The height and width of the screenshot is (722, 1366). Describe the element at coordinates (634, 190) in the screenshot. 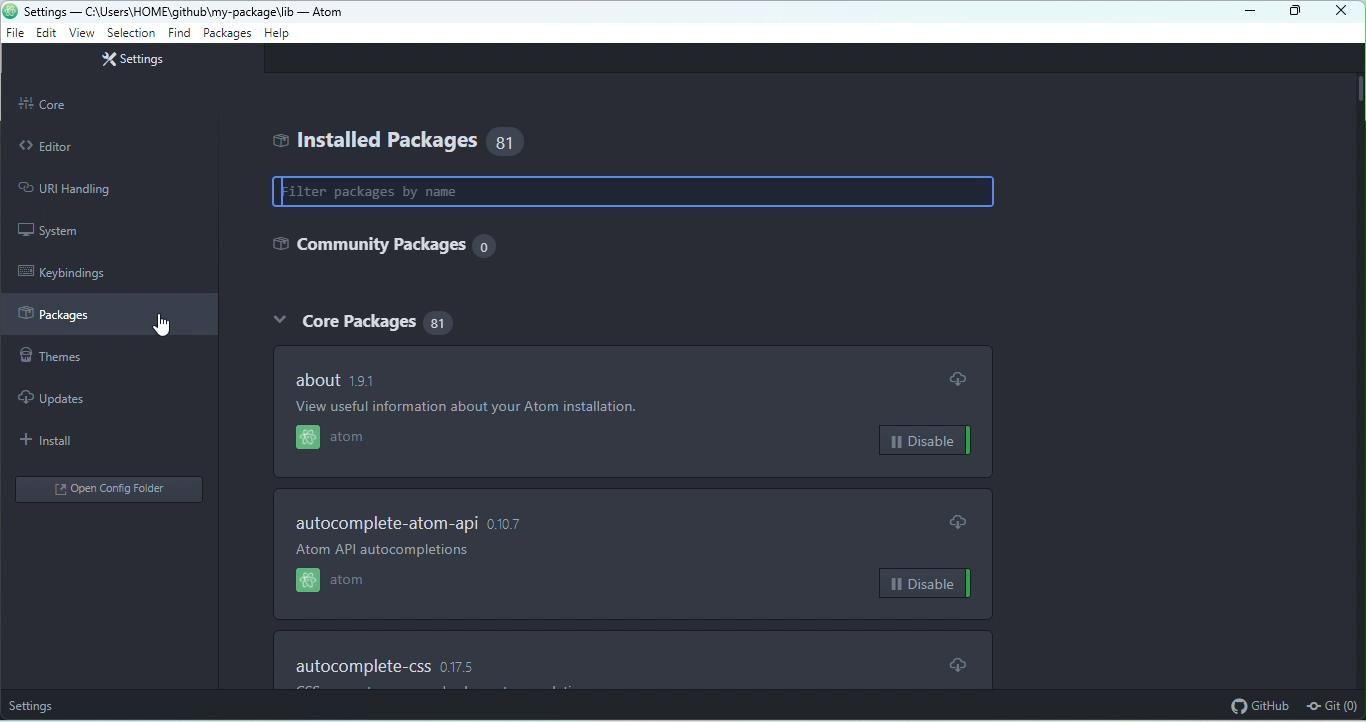

I see `filter packages by name` at that location.